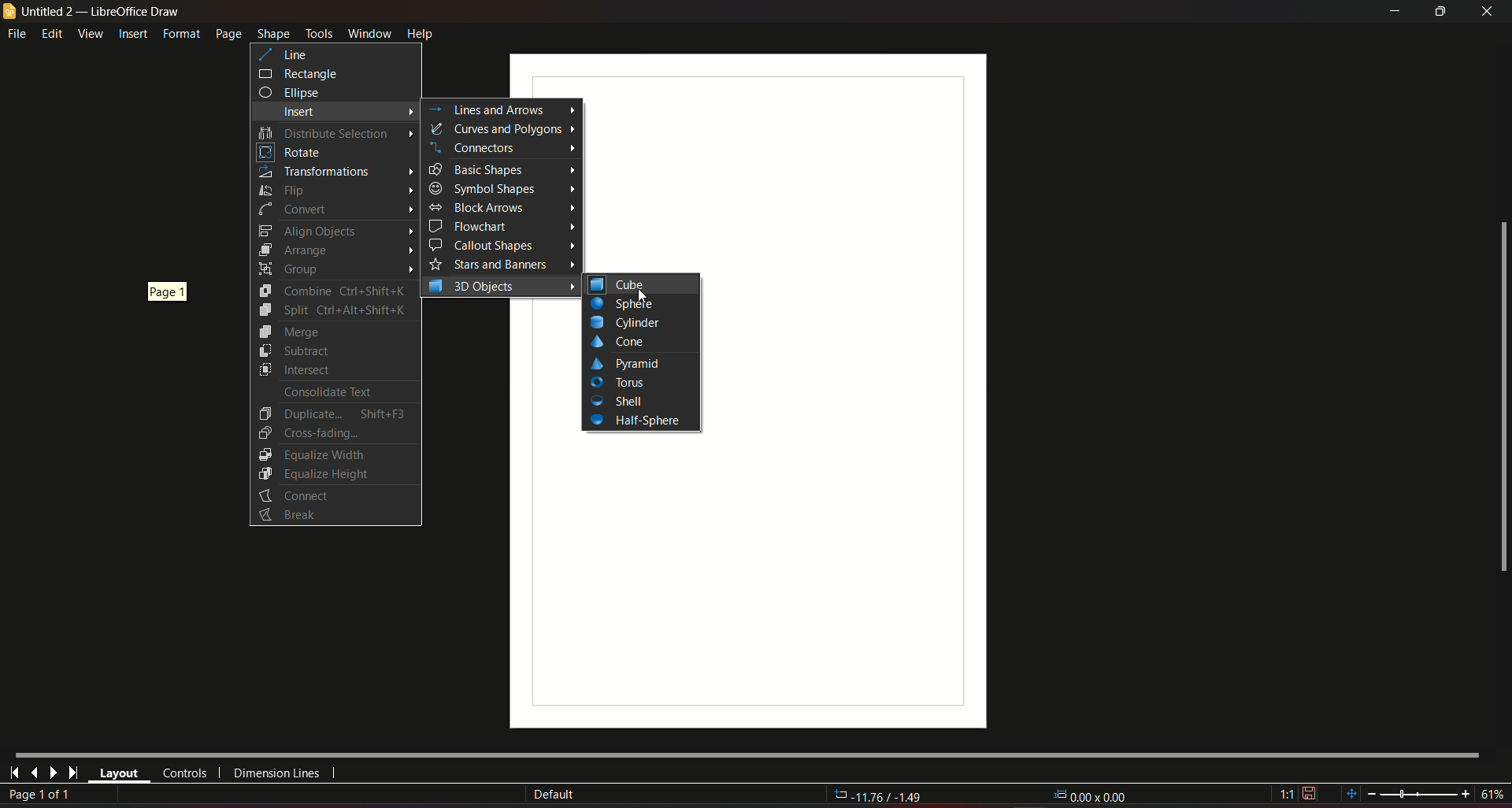 The image size is (1512, 808). Describe the element at coordinates (311, 433) in the screenshot. I see `Cross-Fading` at that location.